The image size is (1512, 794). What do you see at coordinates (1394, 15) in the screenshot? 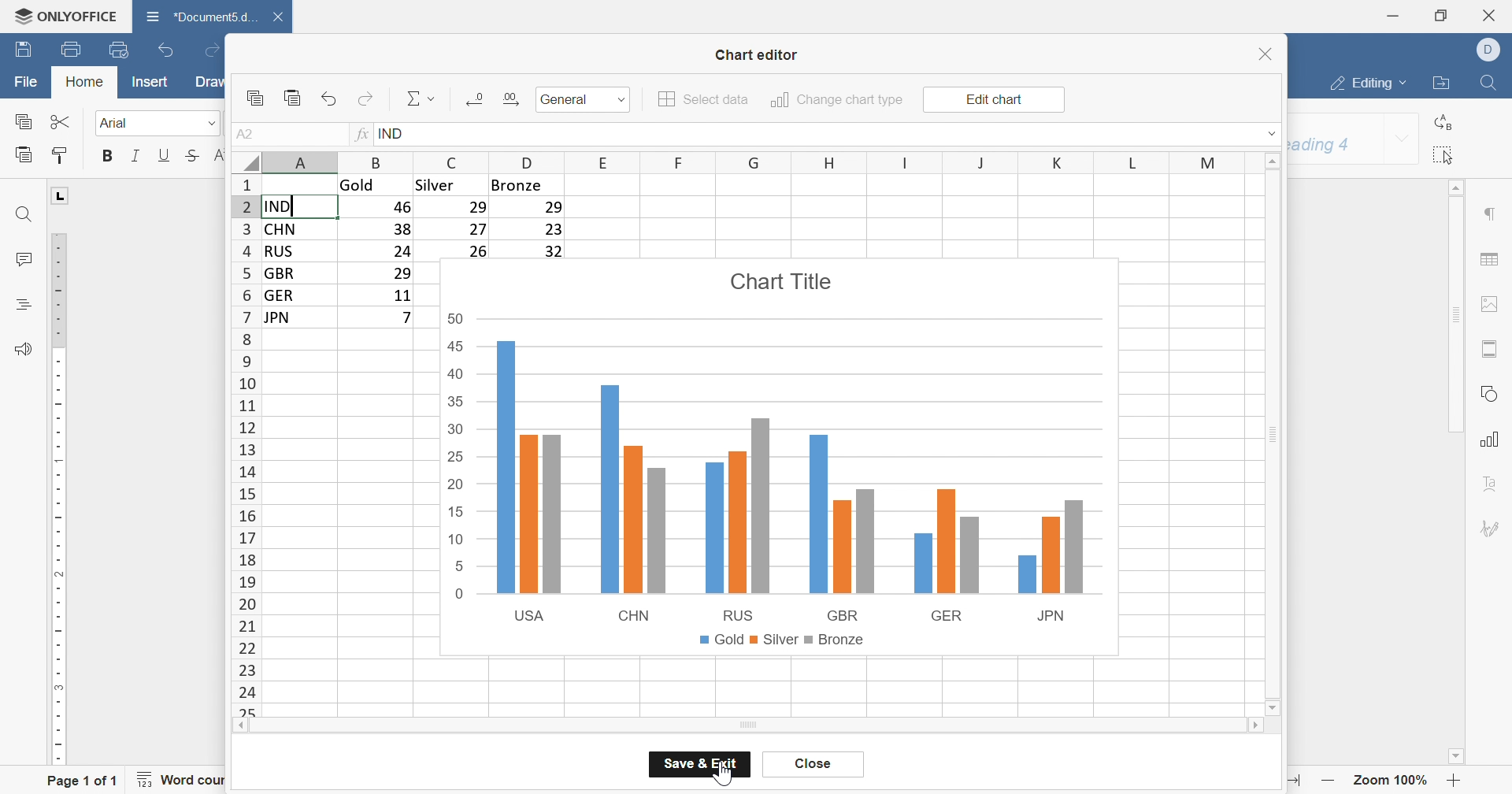
I see `minimize` at bounding box center [1394, 15].